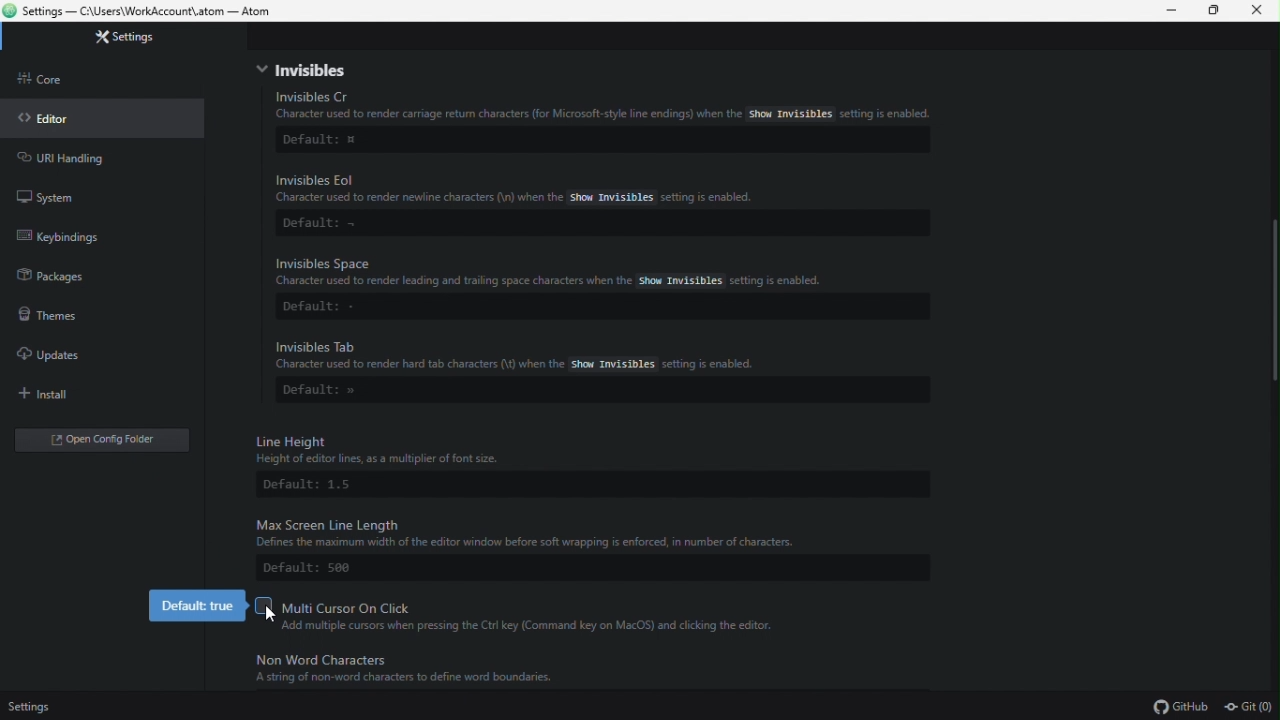 The height and width of the screenshot is (720, 1280). I want to click on github, so click(1175, 705).